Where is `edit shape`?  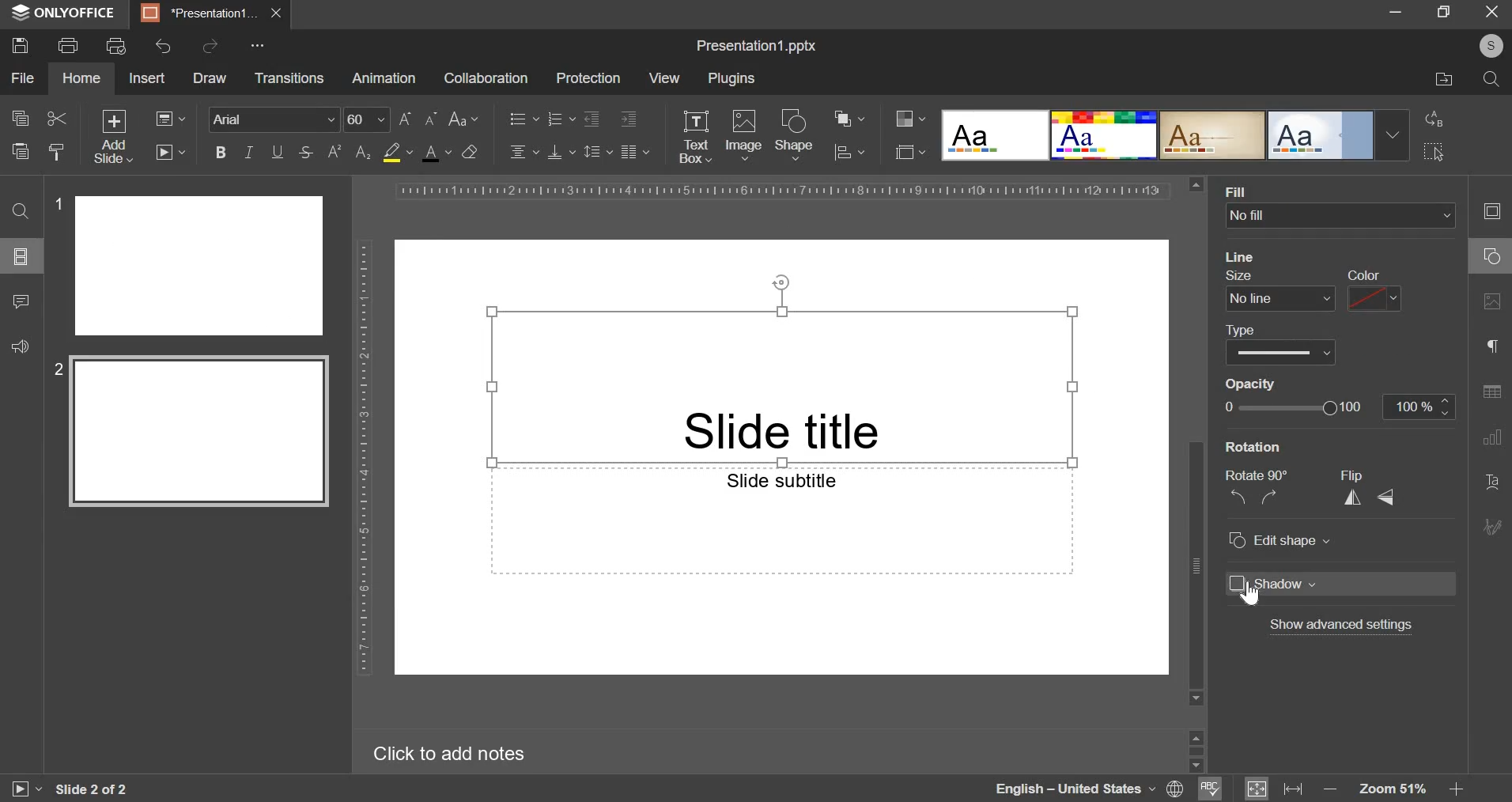 edit shape is located at coordinates (1278, 539).